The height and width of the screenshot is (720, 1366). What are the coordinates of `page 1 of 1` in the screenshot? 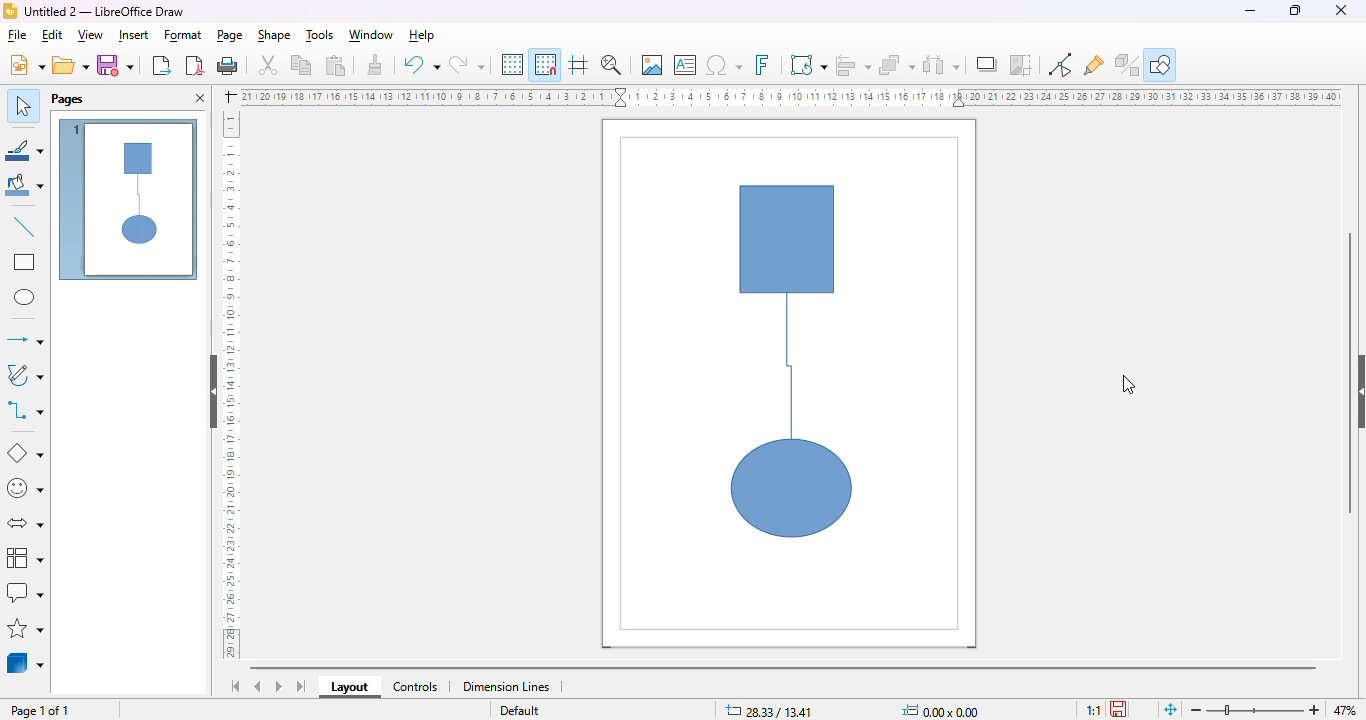 It's located at (39, 711).